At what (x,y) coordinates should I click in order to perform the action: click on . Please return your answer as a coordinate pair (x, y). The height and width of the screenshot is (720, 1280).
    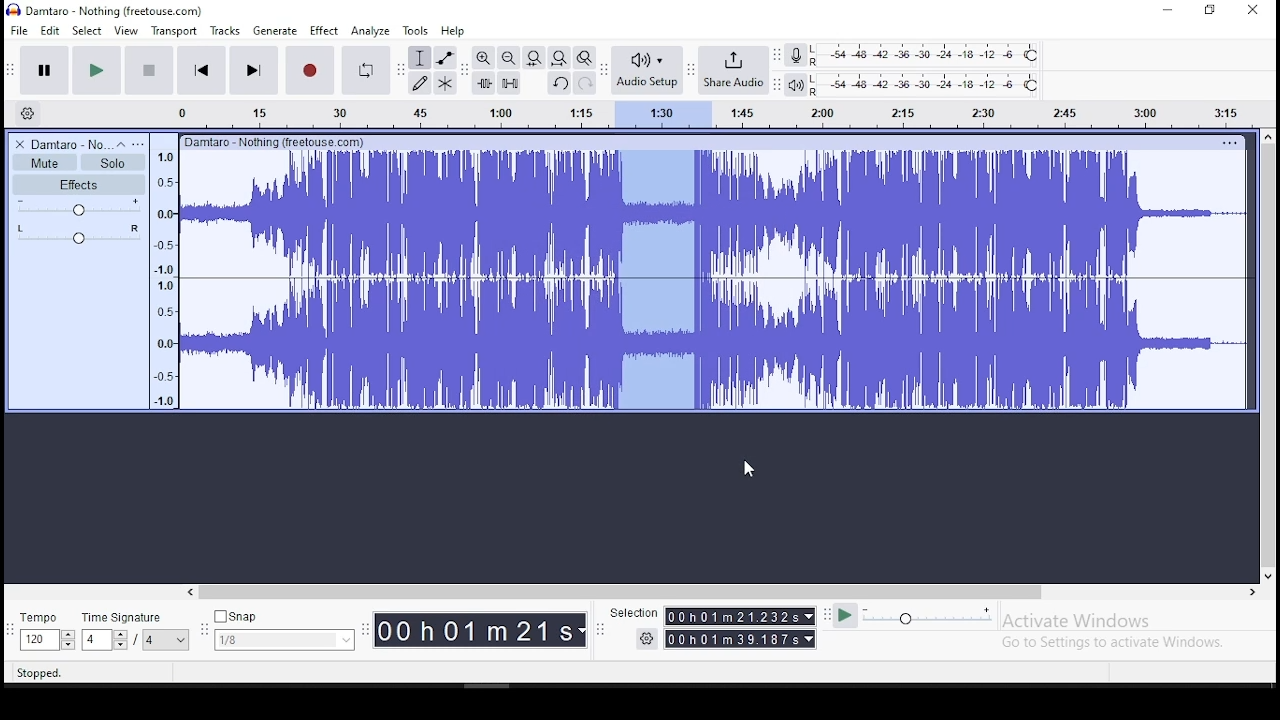
    Looking at the image, I should click on (775, 53).